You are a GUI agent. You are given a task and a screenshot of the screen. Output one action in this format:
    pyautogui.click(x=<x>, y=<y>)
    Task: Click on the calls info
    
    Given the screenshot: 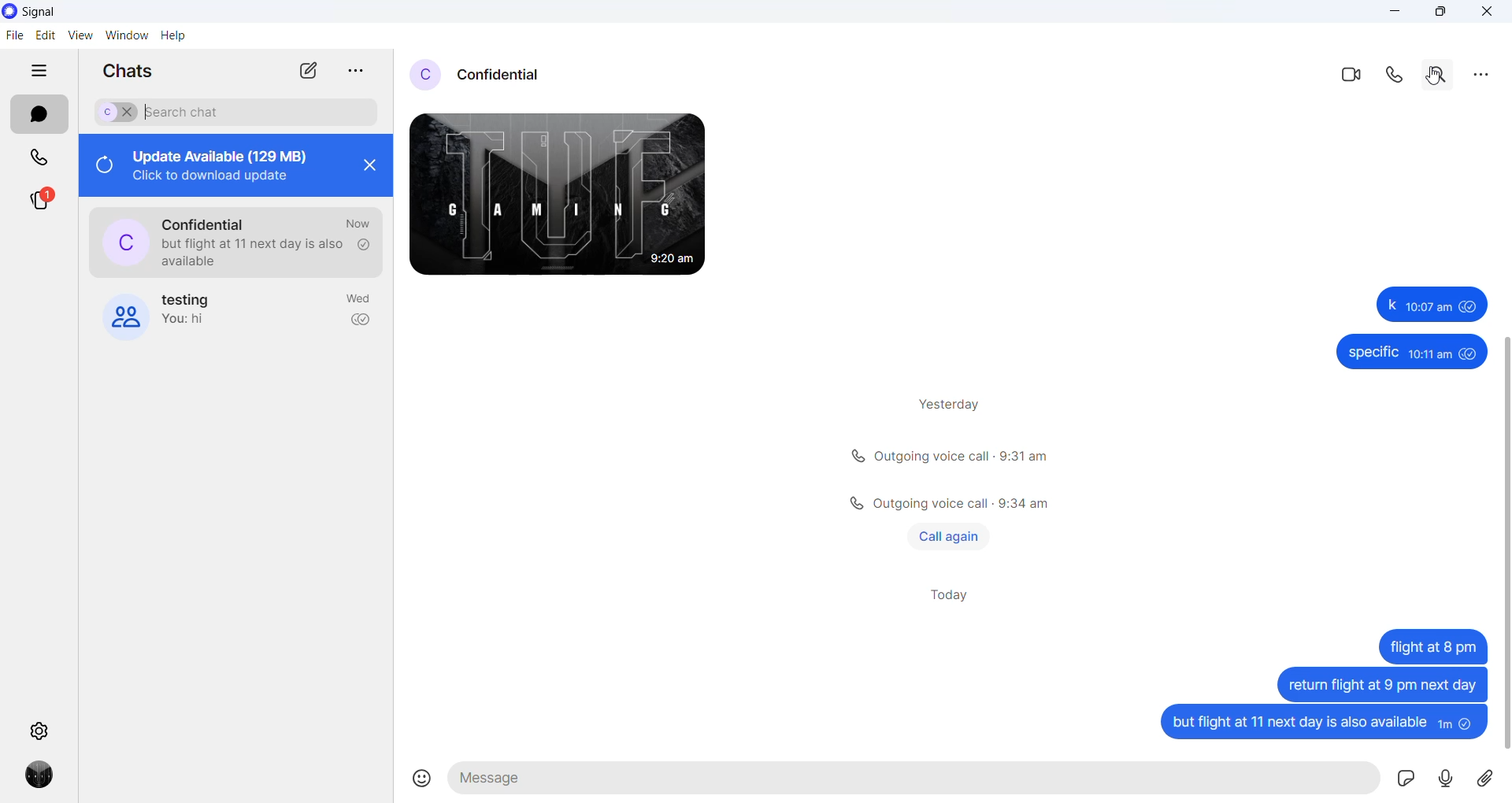 What is the action you would take?
    pyautogui.click(x=951, y=457)
    